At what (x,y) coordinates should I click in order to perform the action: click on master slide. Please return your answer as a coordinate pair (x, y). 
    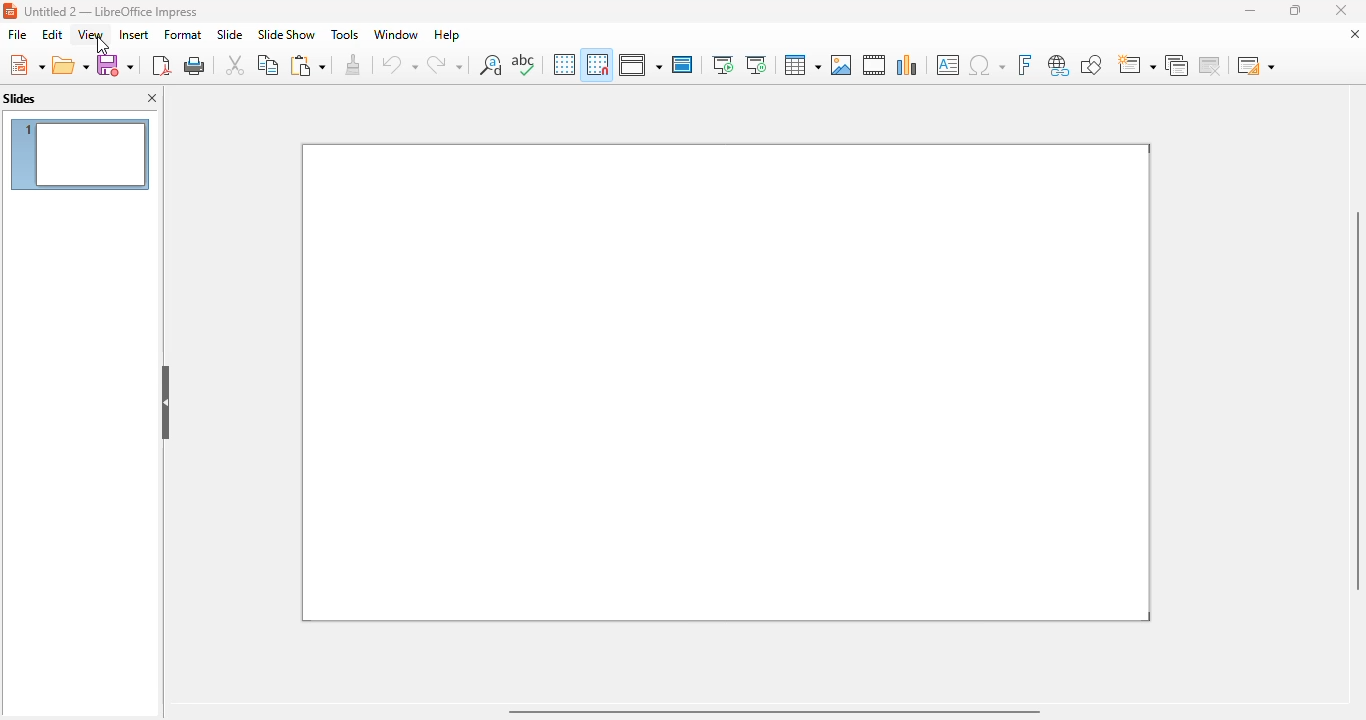
    Looking at the image, I should click on (683, 64).